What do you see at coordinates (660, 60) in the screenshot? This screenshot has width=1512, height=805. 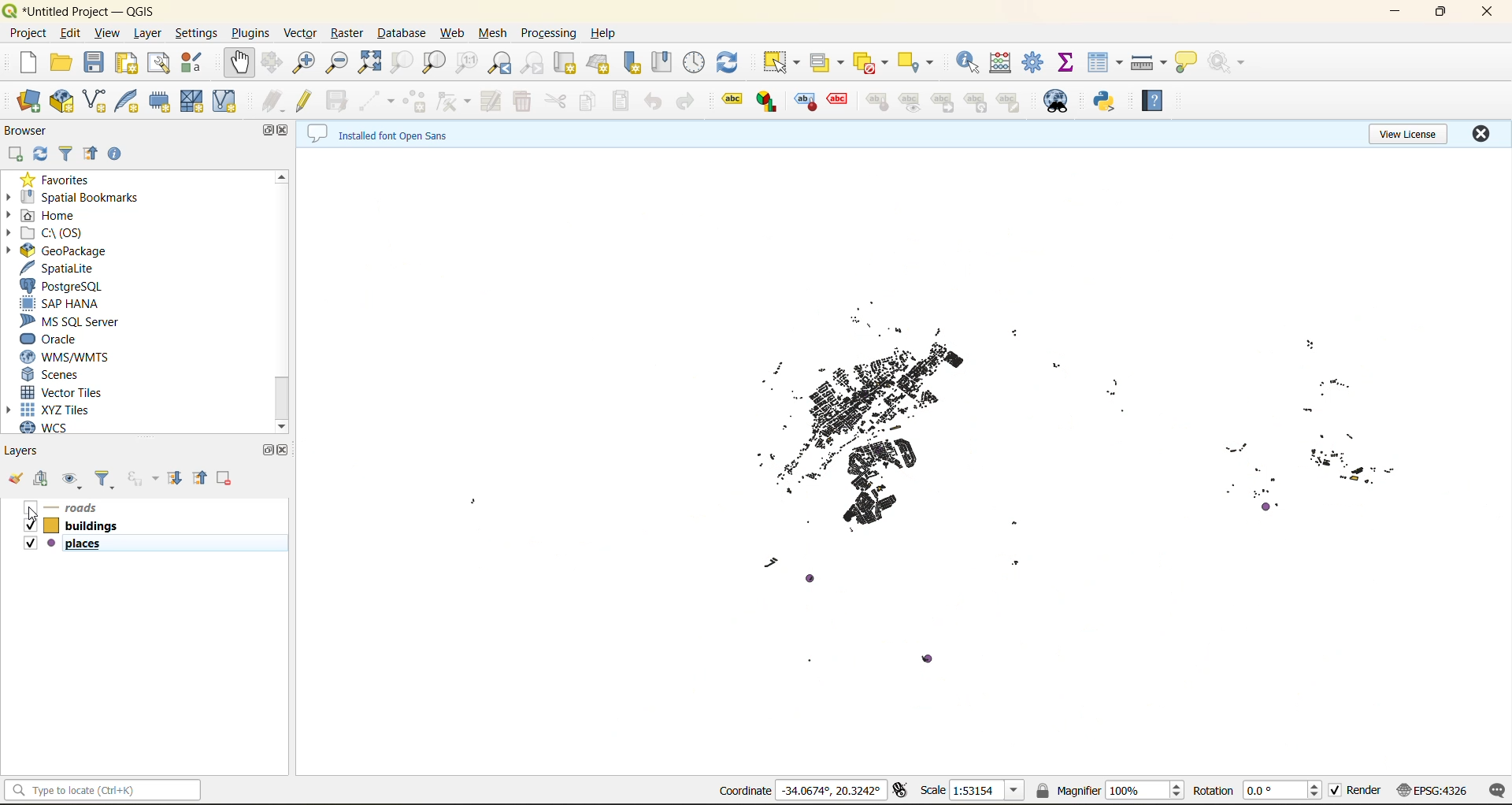 I see `show spatial bookmark` at bounding box center [660, 60].